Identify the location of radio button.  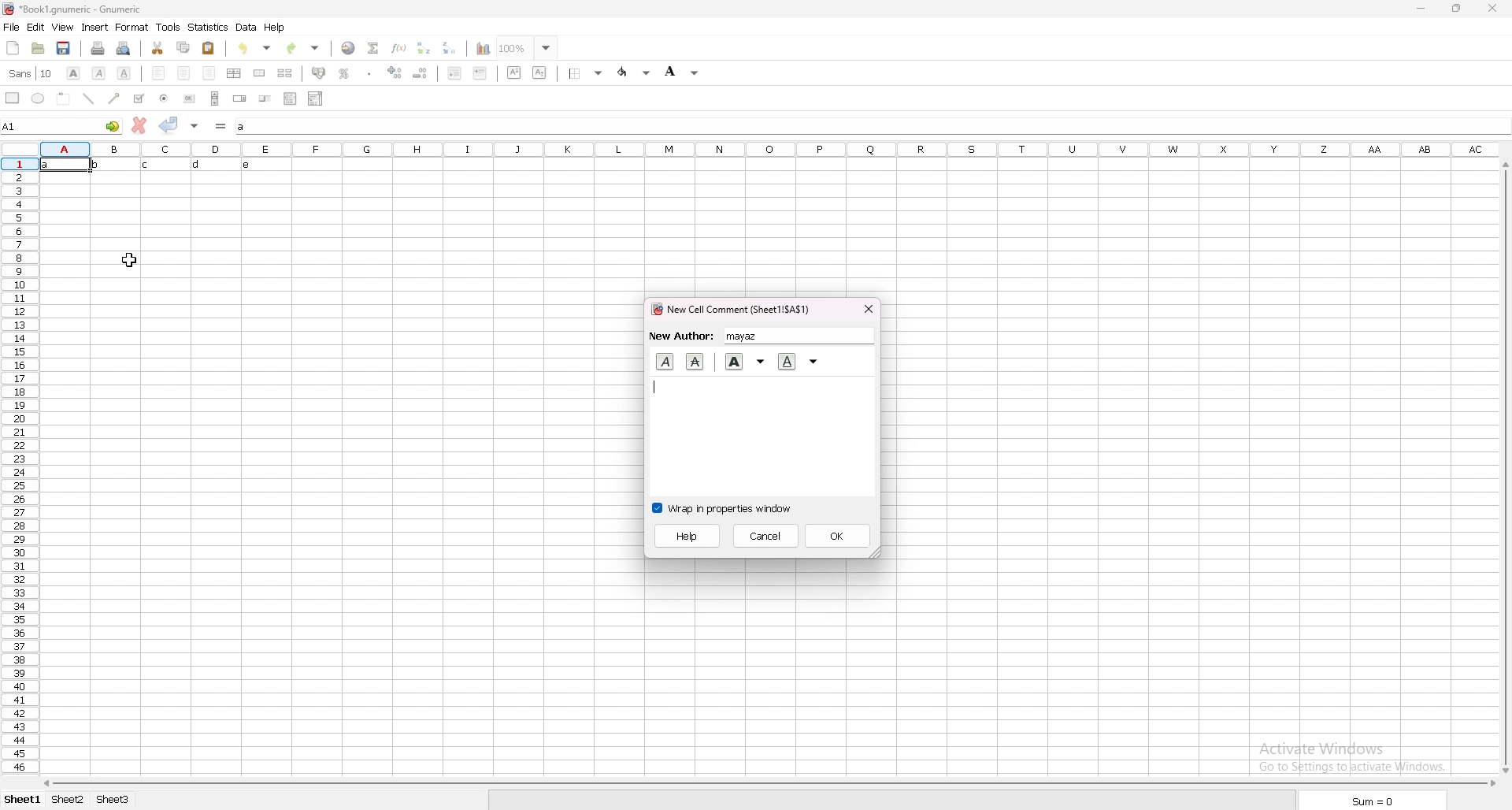
(164, 99).